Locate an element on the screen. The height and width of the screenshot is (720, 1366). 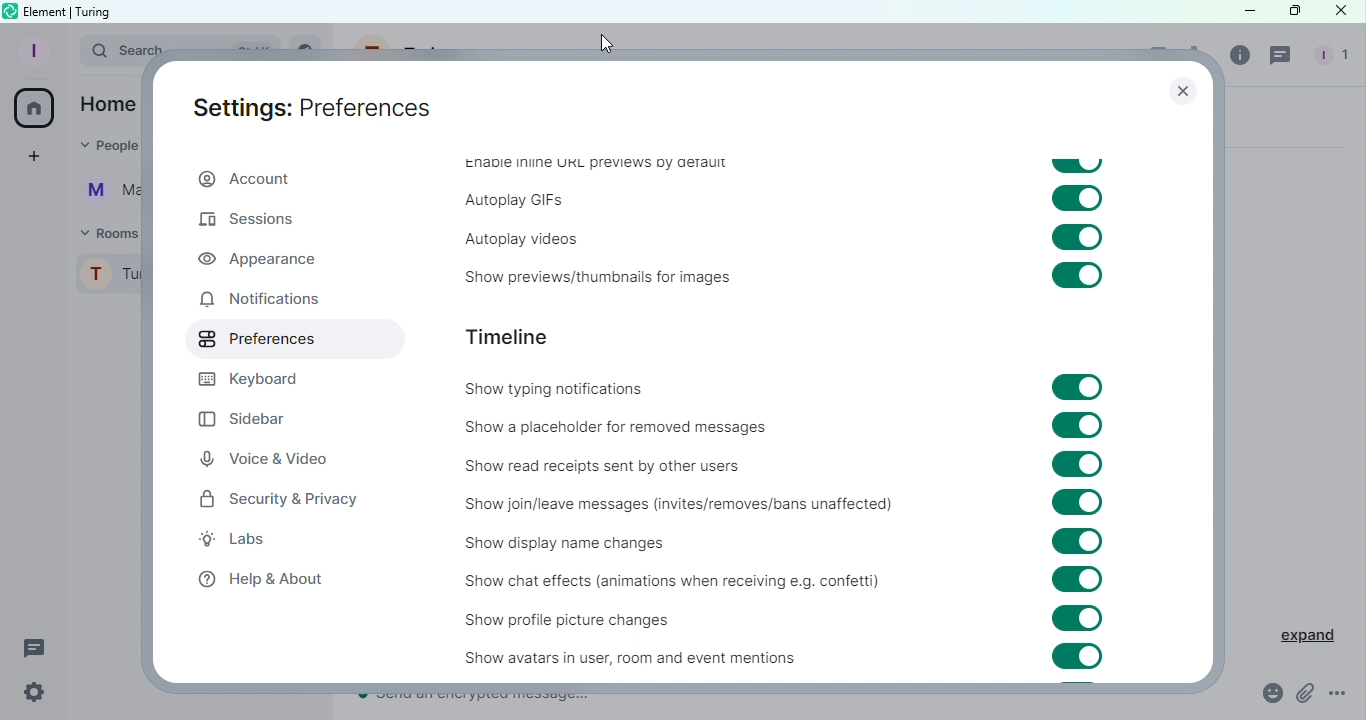
Show typing notifications is located at coordinates (570, 391).